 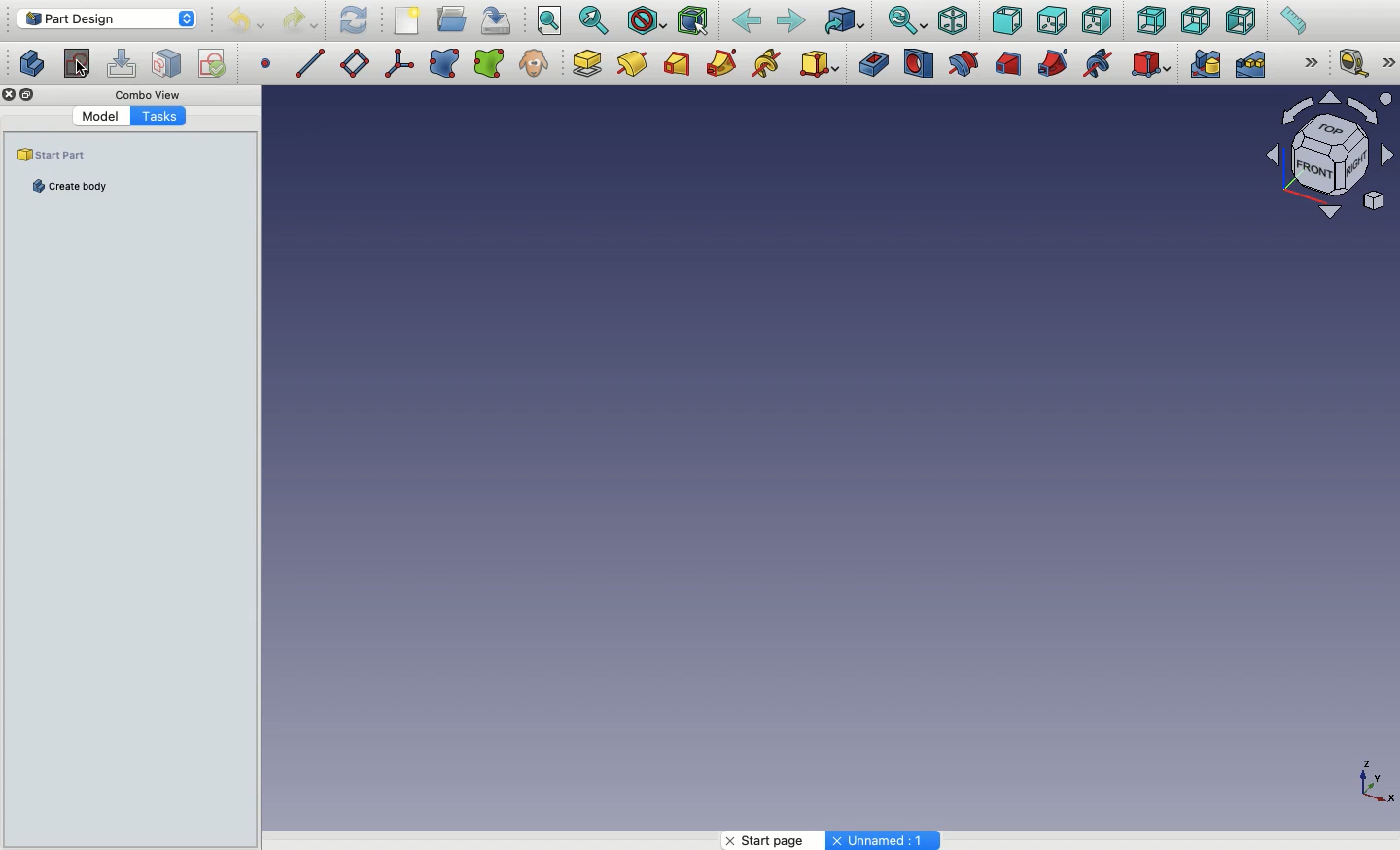 I want to click on Pad, so click(x=588, y=63).